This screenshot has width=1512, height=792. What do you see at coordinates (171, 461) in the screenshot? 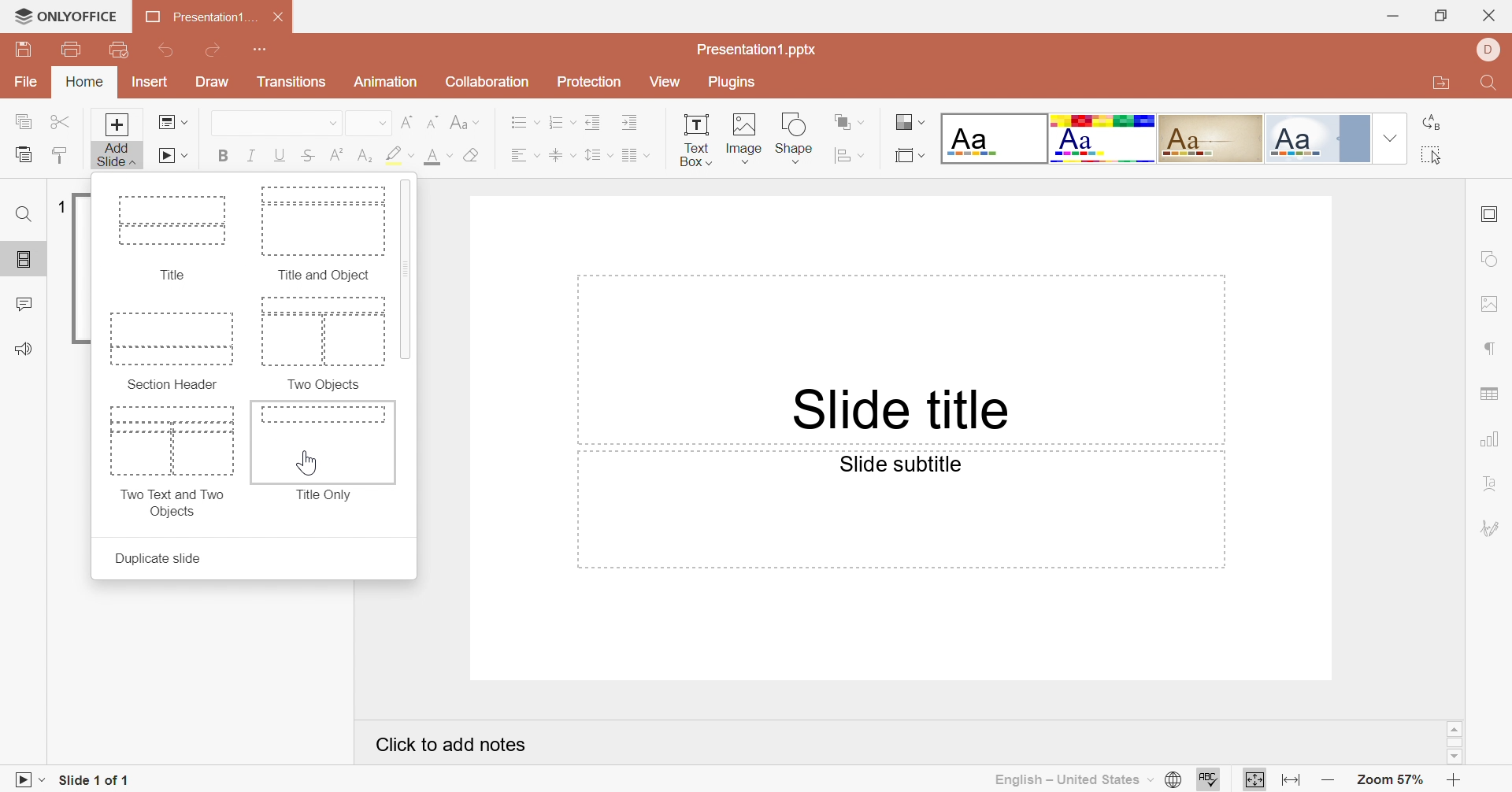
I see `Two Text and Two Objects` at bounding box center [171, 461].